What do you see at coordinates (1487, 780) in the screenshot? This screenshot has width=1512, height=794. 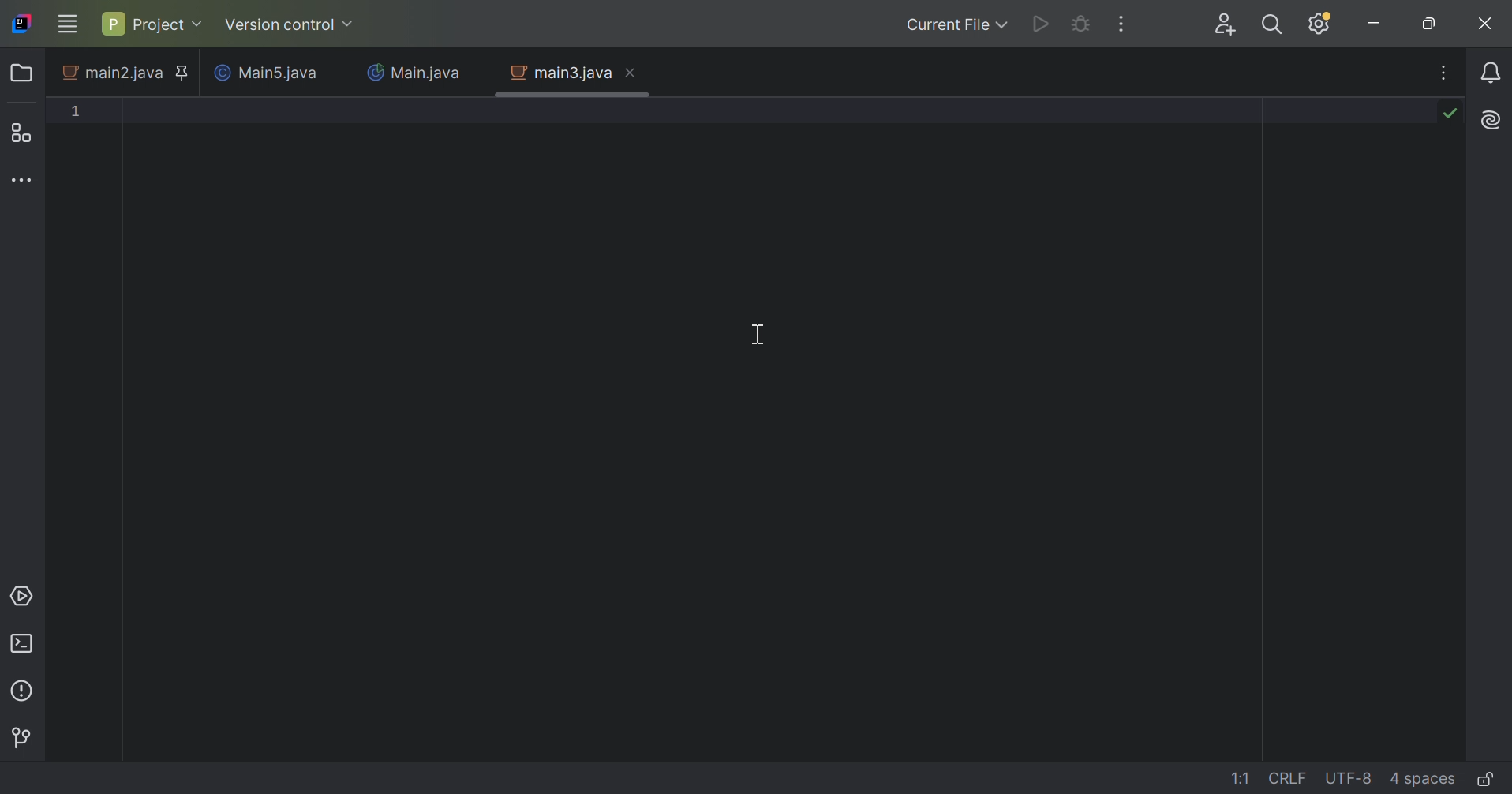 I see `Make file read-only` at bounding box center [1487, 780].